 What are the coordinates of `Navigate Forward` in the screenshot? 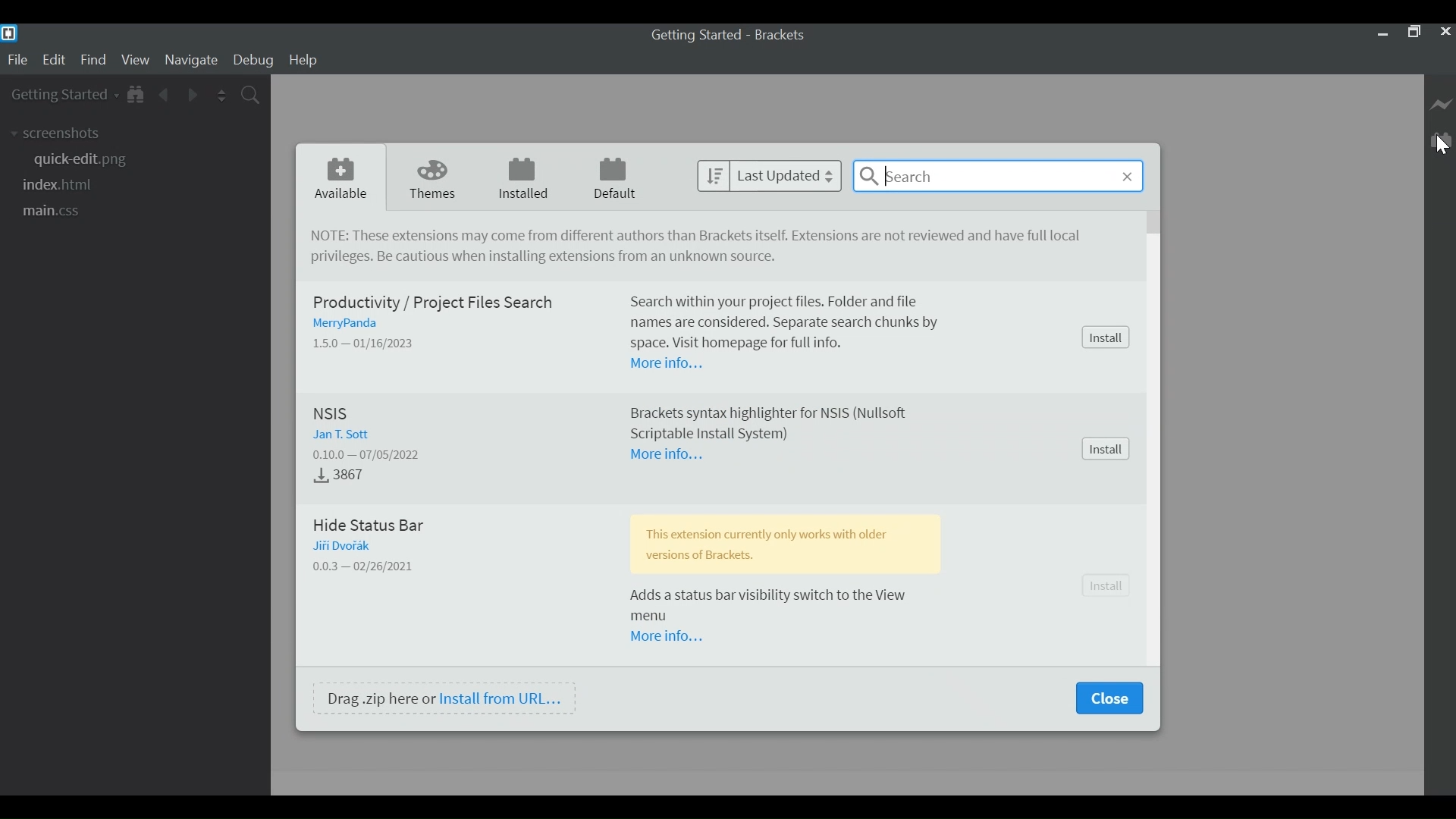 It's located at (193, 94).